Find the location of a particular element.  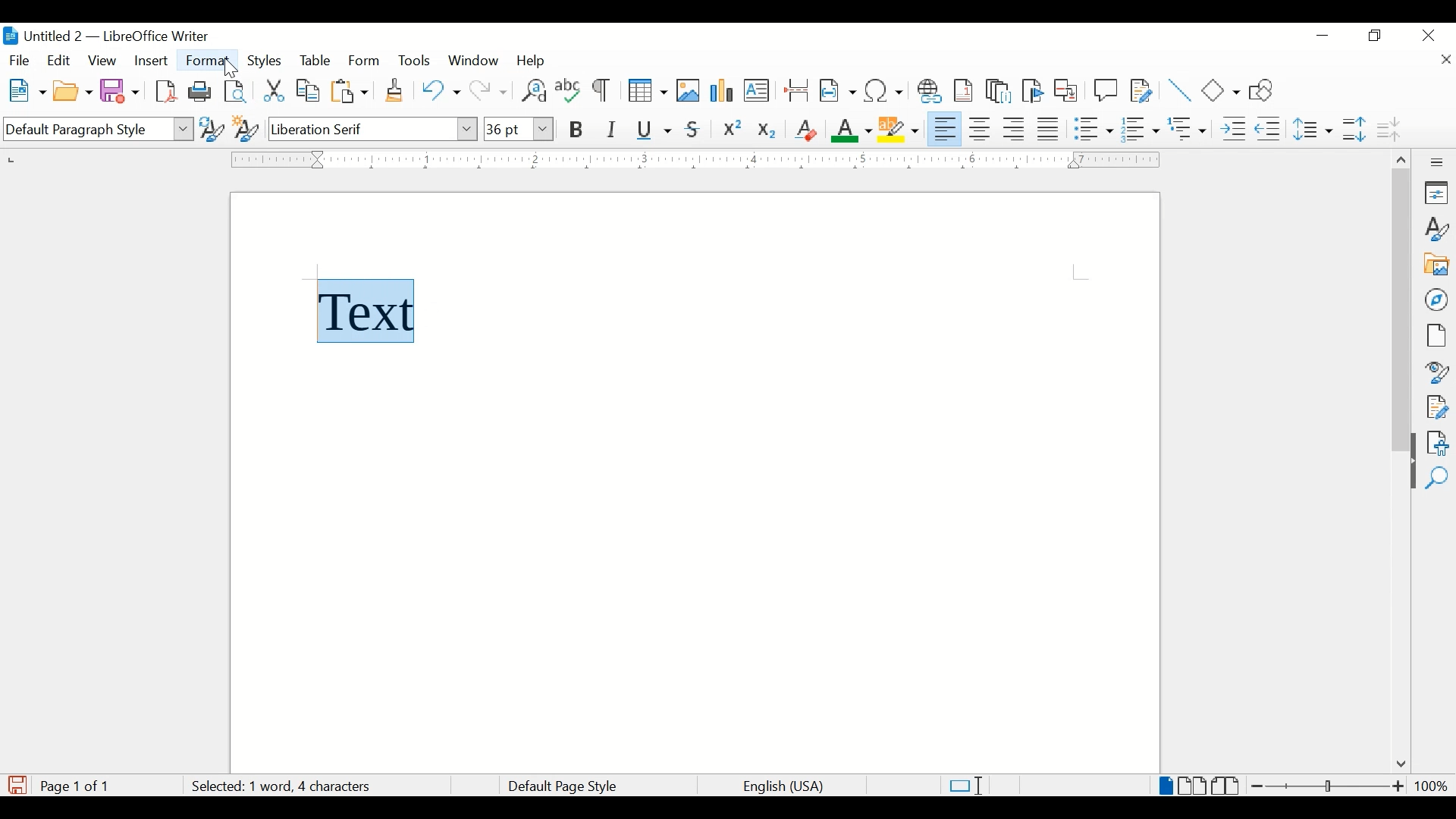

find is located at coordinates (1437, 479).